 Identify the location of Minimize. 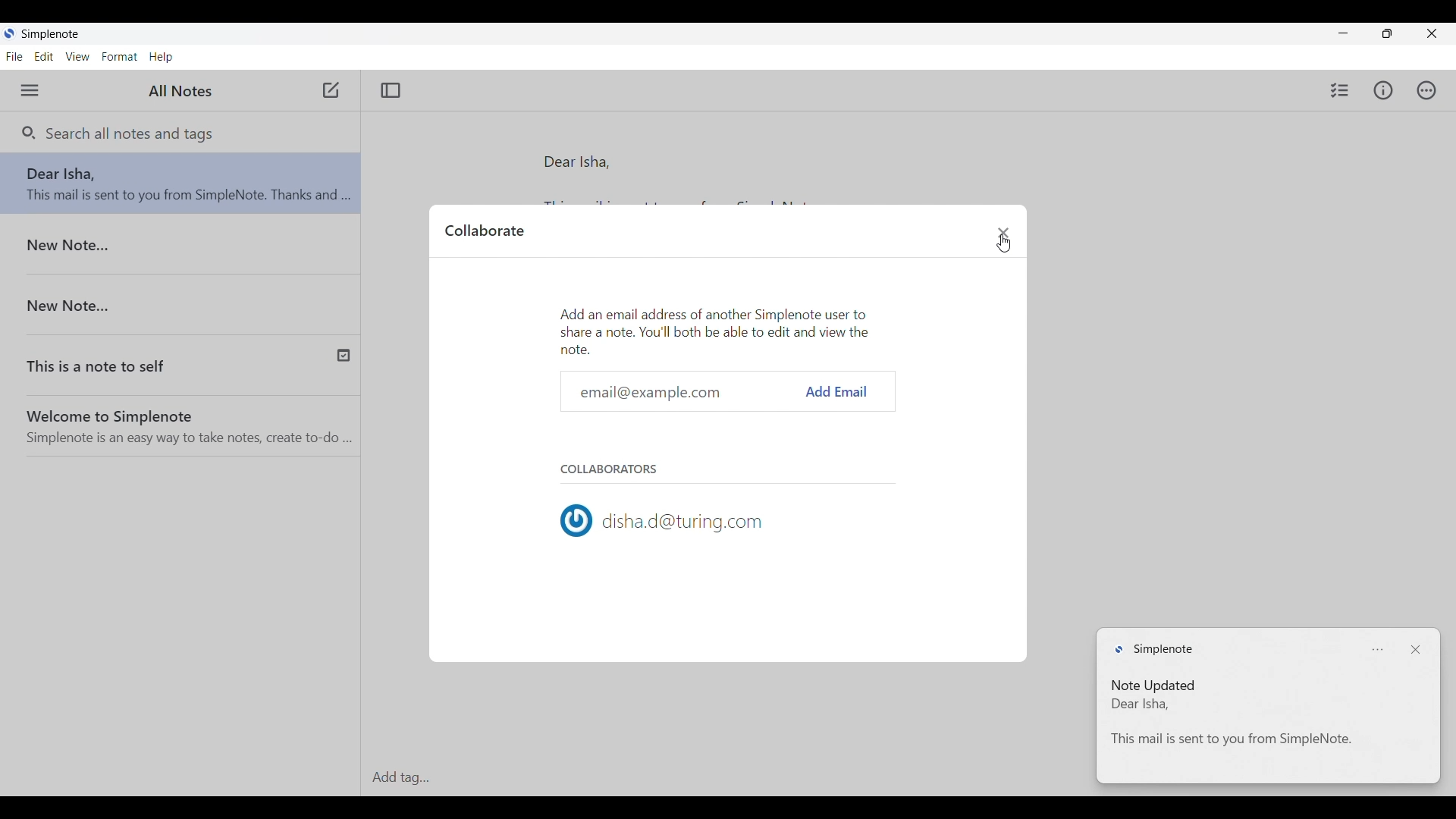
(1344, 30).